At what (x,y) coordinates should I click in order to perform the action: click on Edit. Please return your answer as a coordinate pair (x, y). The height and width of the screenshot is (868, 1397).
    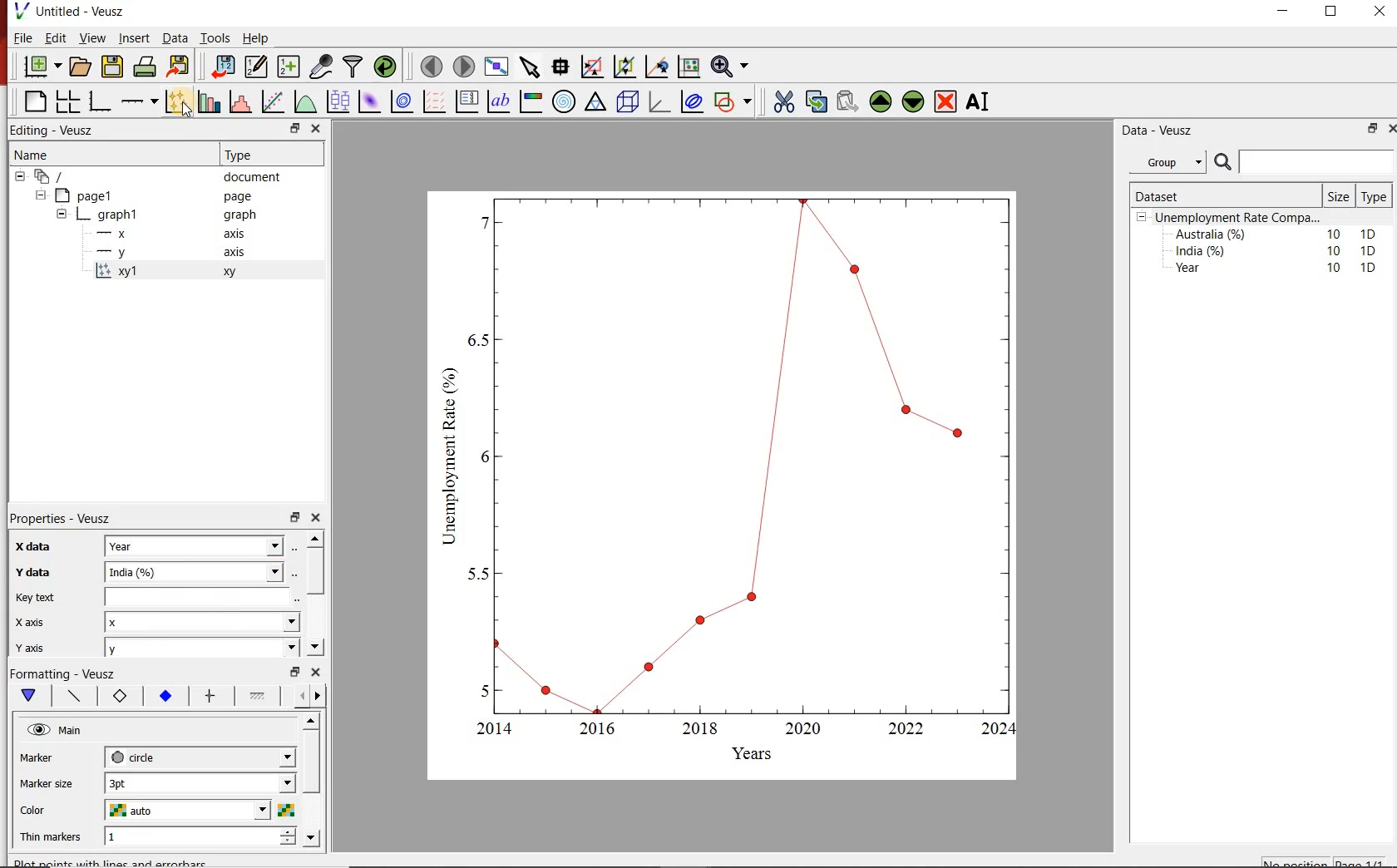
    Looking at the image, I should click on (53, 37).